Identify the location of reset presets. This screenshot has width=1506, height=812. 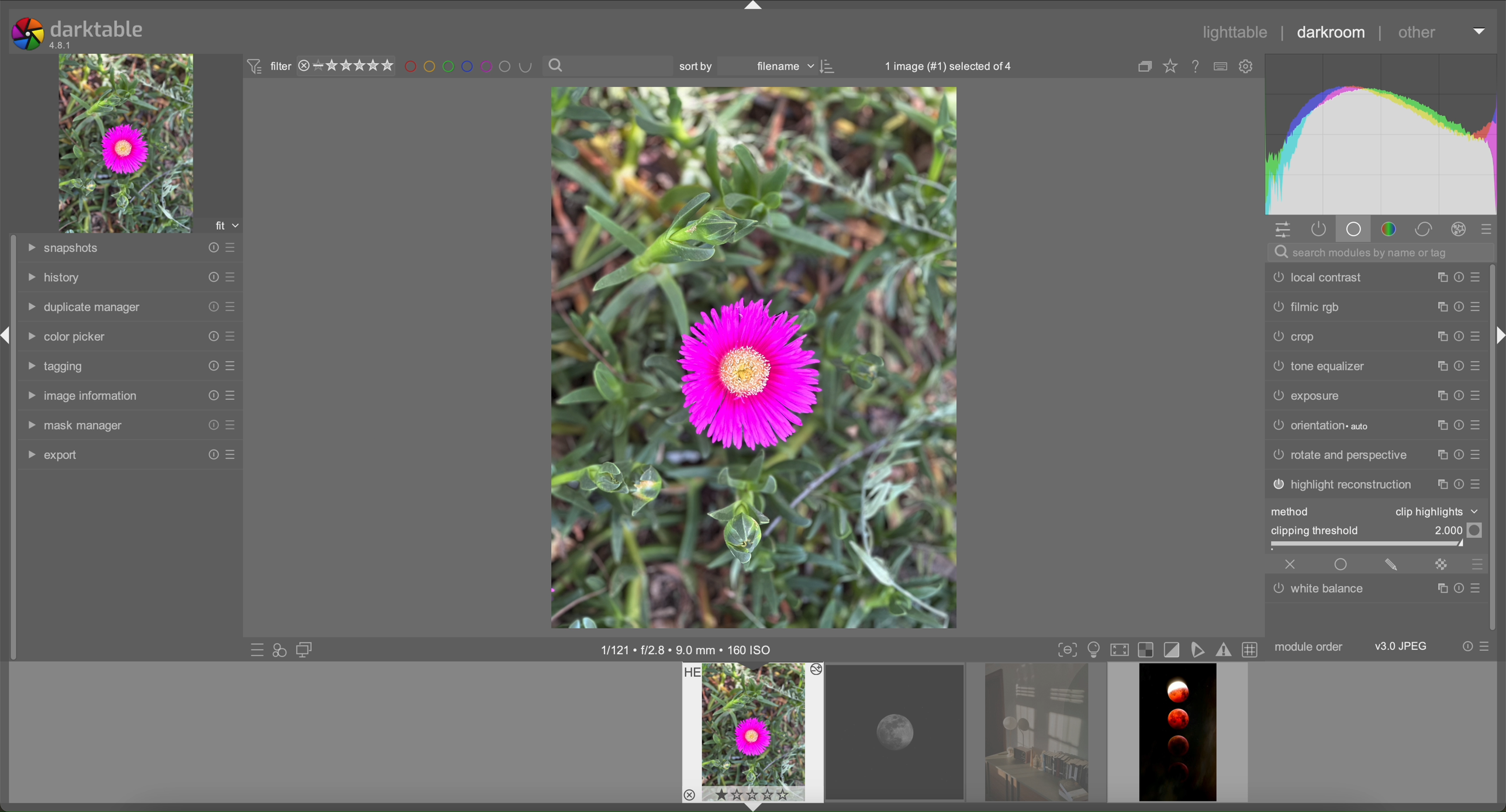
(1456, 308).